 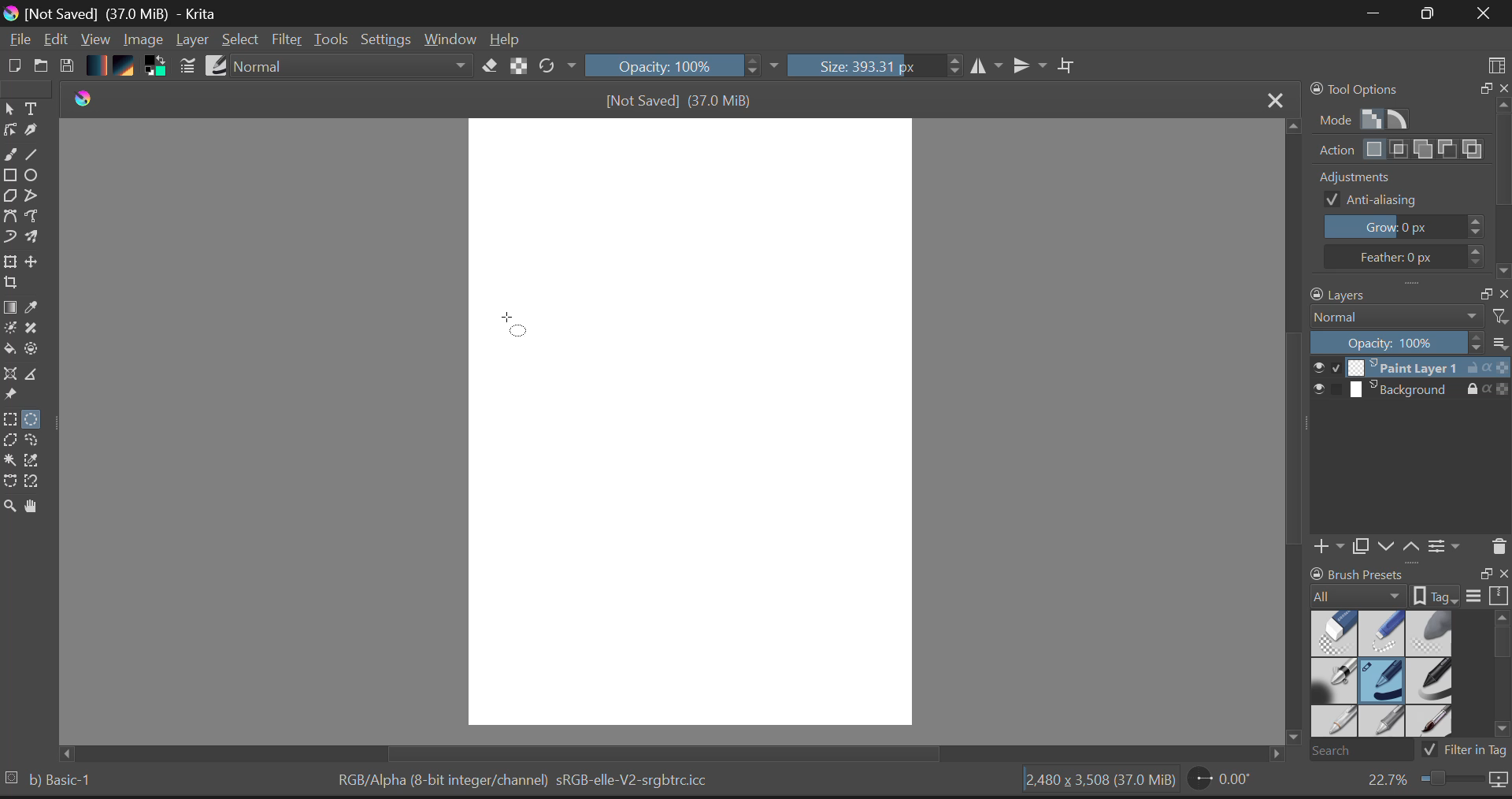 I want to click on Assistant Tool, so click(x=13, y=372).